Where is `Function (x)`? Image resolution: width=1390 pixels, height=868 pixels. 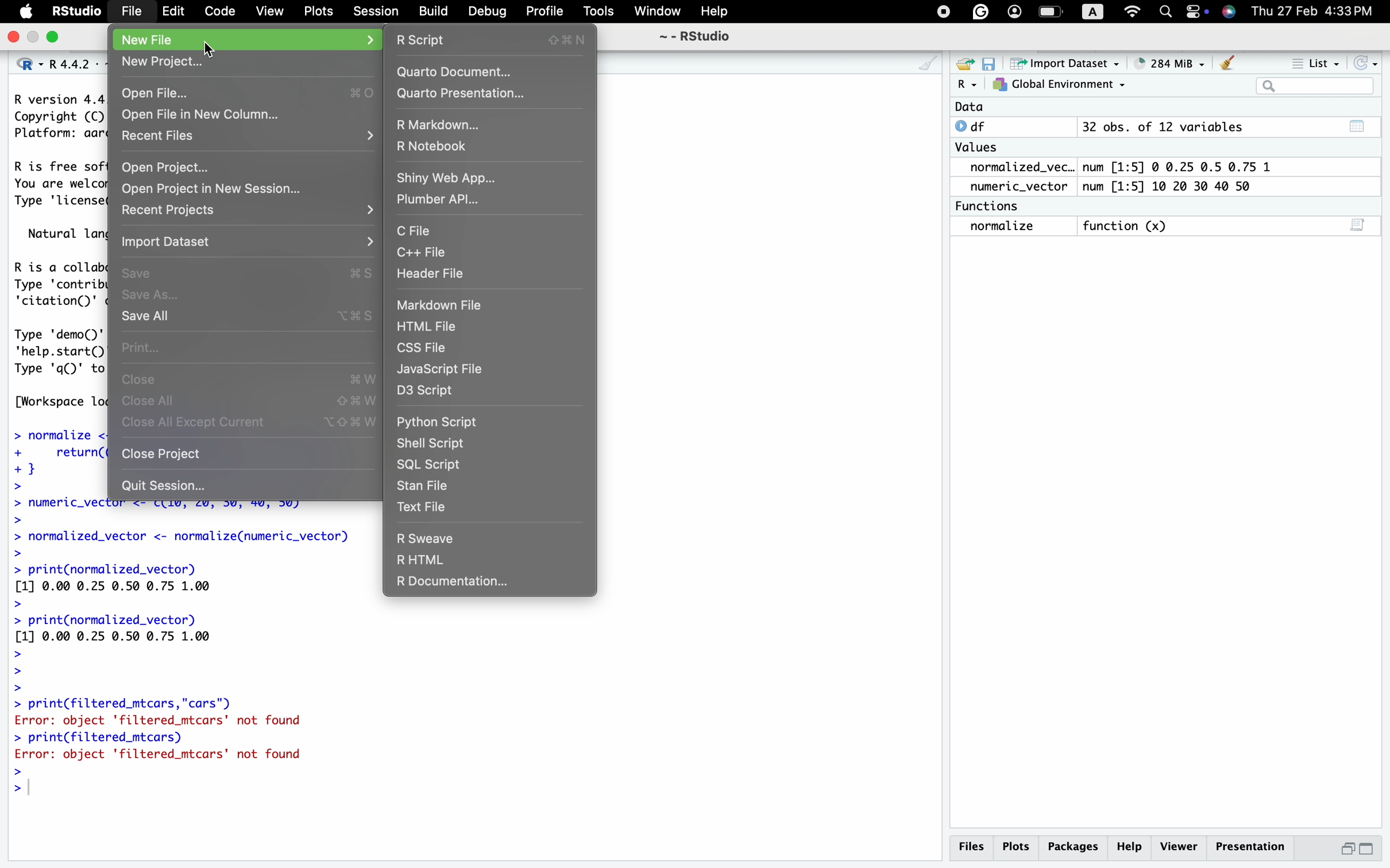
Function (x) is located at coordinates (1126, 226).